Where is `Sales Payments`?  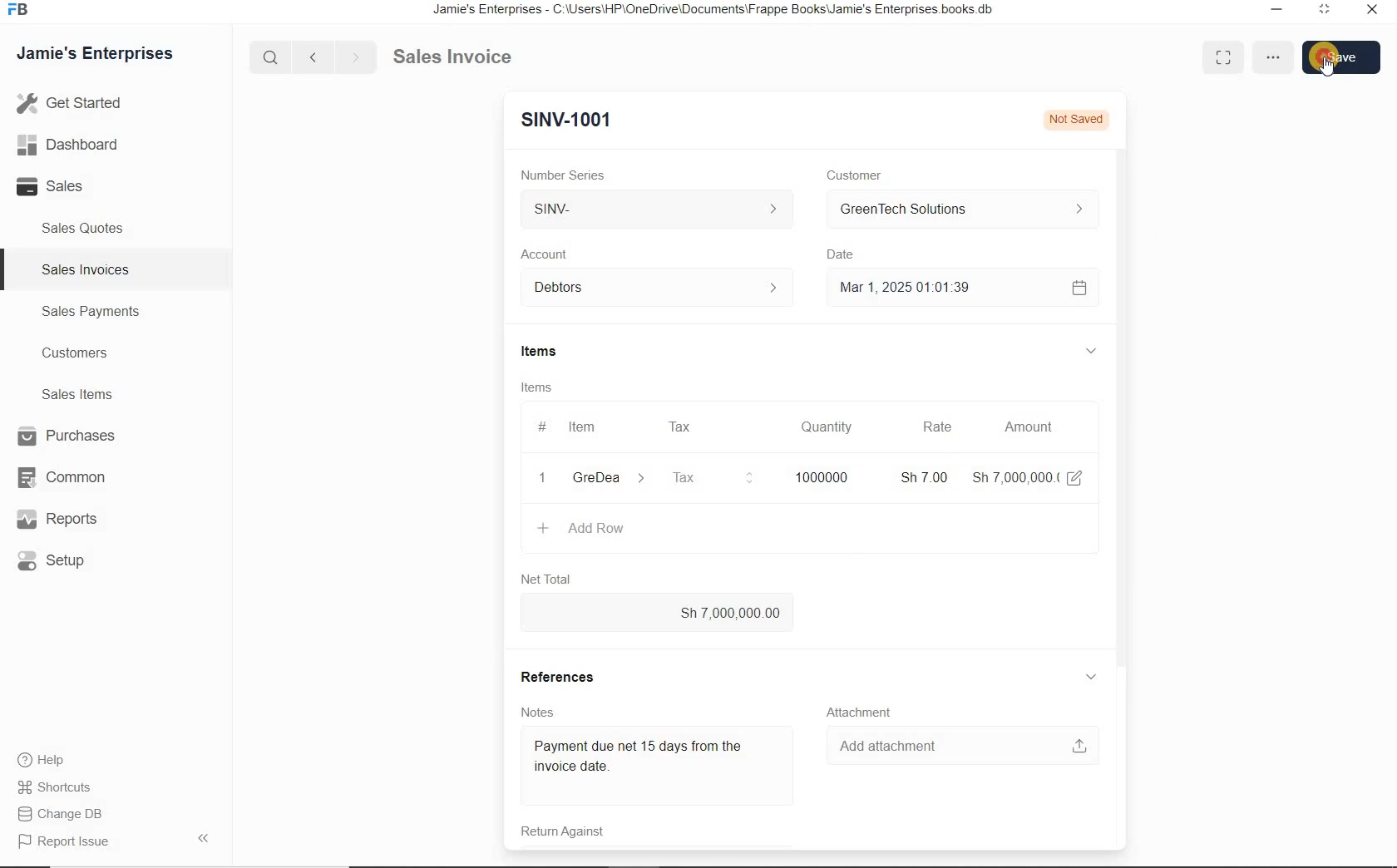
Sales Payments is located at coordinates (91, 312).